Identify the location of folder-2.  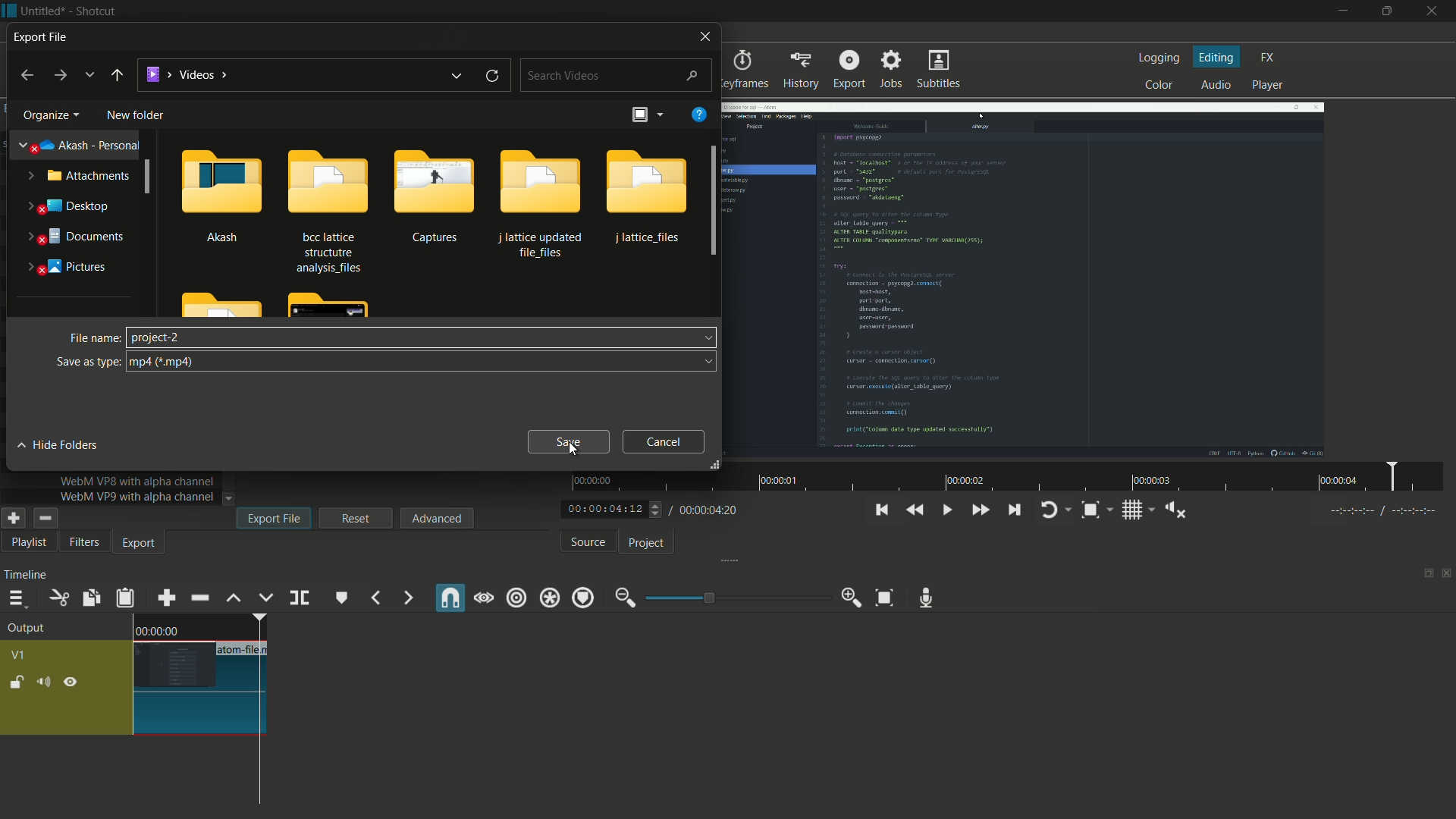
(325, 209).